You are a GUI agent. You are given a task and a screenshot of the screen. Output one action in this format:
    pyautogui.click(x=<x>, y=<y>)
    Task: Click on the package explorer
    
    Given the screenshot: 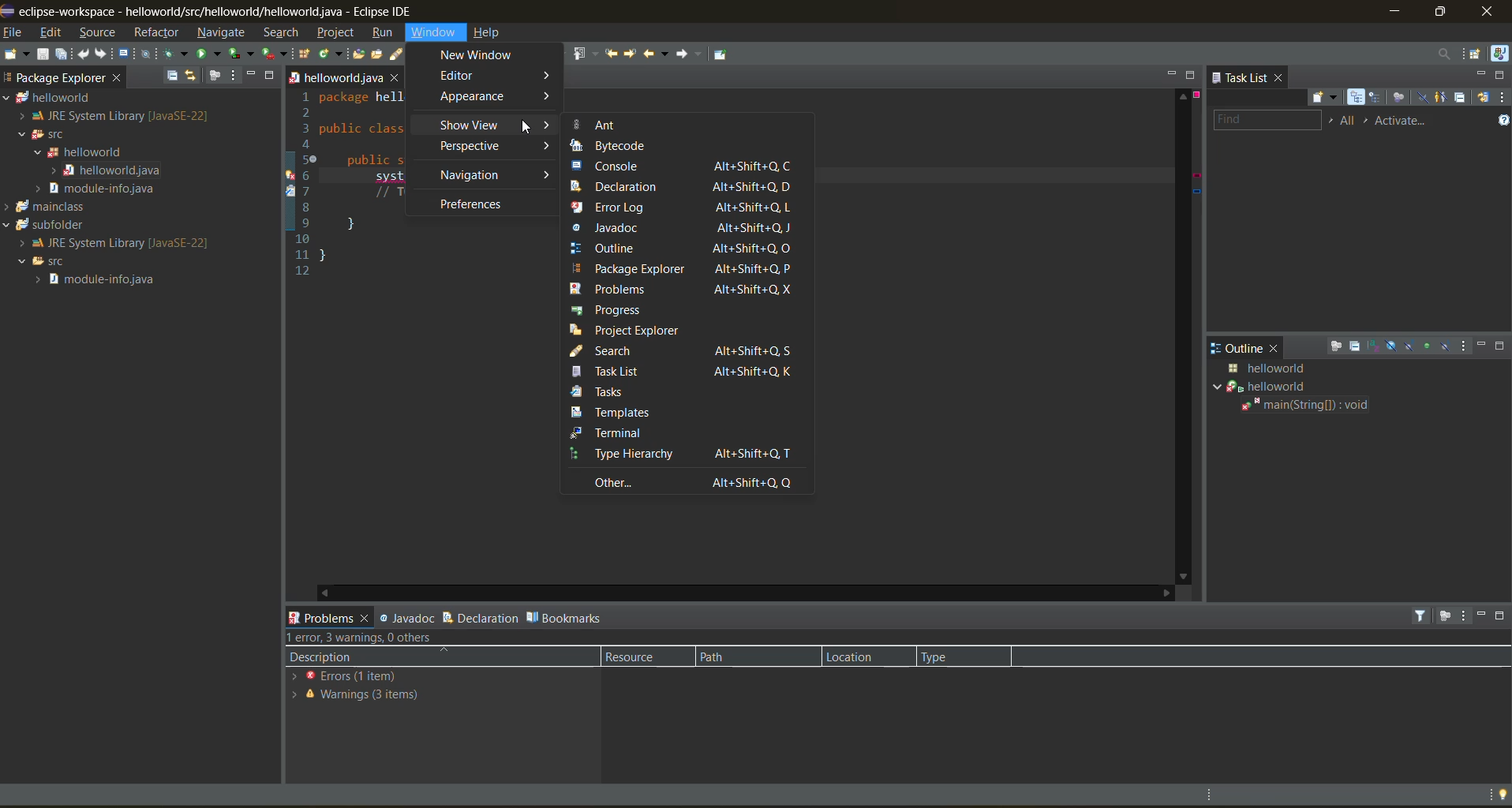 What is the action you would take?
    pyautogui.click(x=53, y=78)
    